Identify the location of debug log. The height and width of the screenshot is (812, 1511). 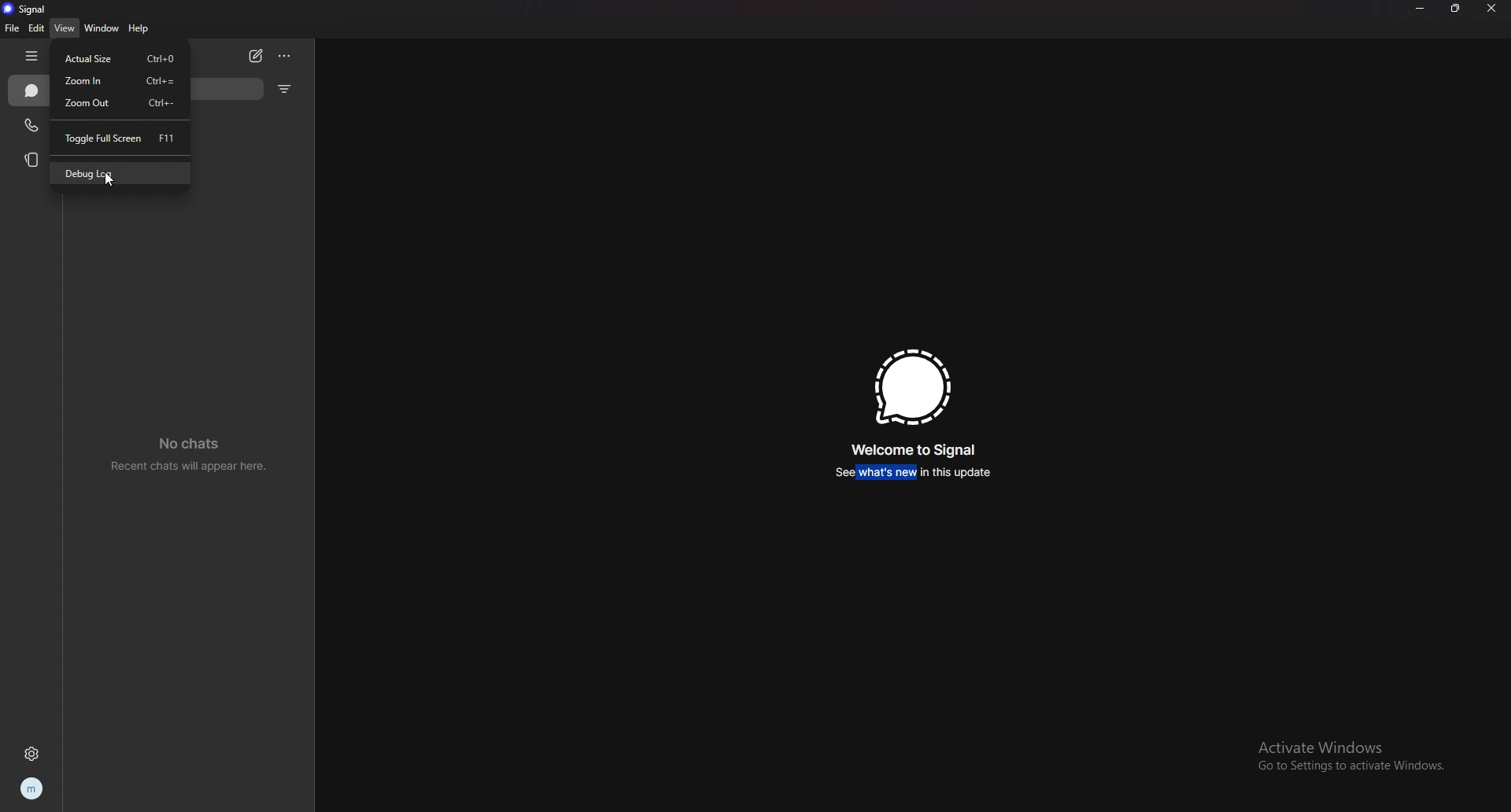
(131, 172).